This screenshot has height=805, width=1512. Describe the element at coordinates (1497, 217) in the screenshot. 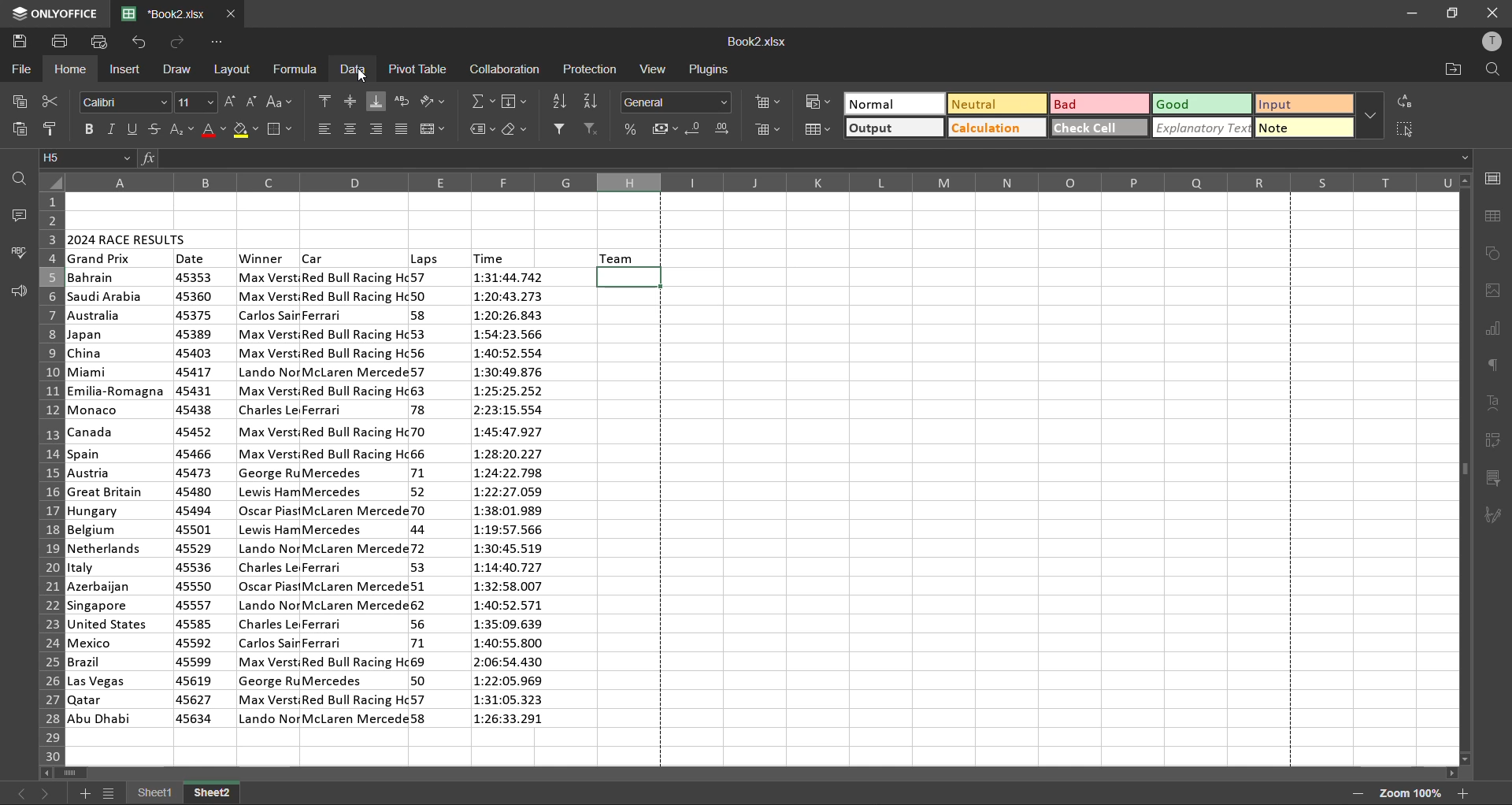

I see `table` at that location.